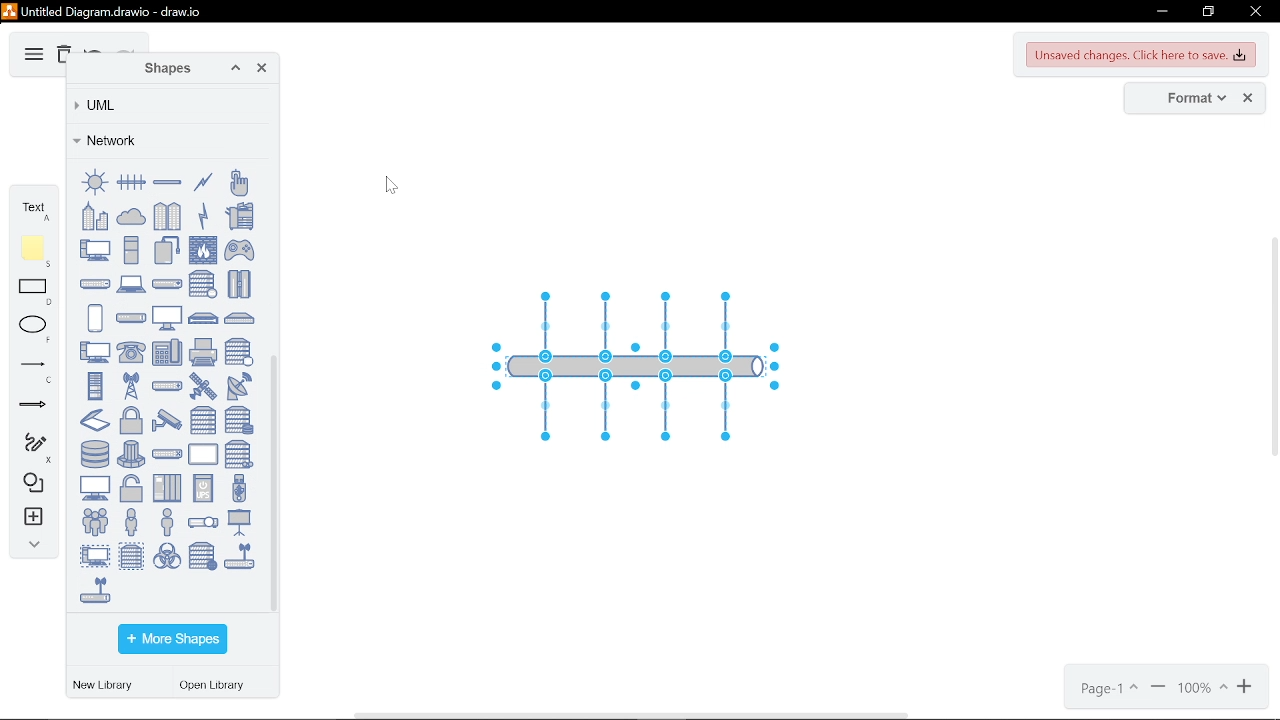  I want to click on tablet, so click(203, 454).